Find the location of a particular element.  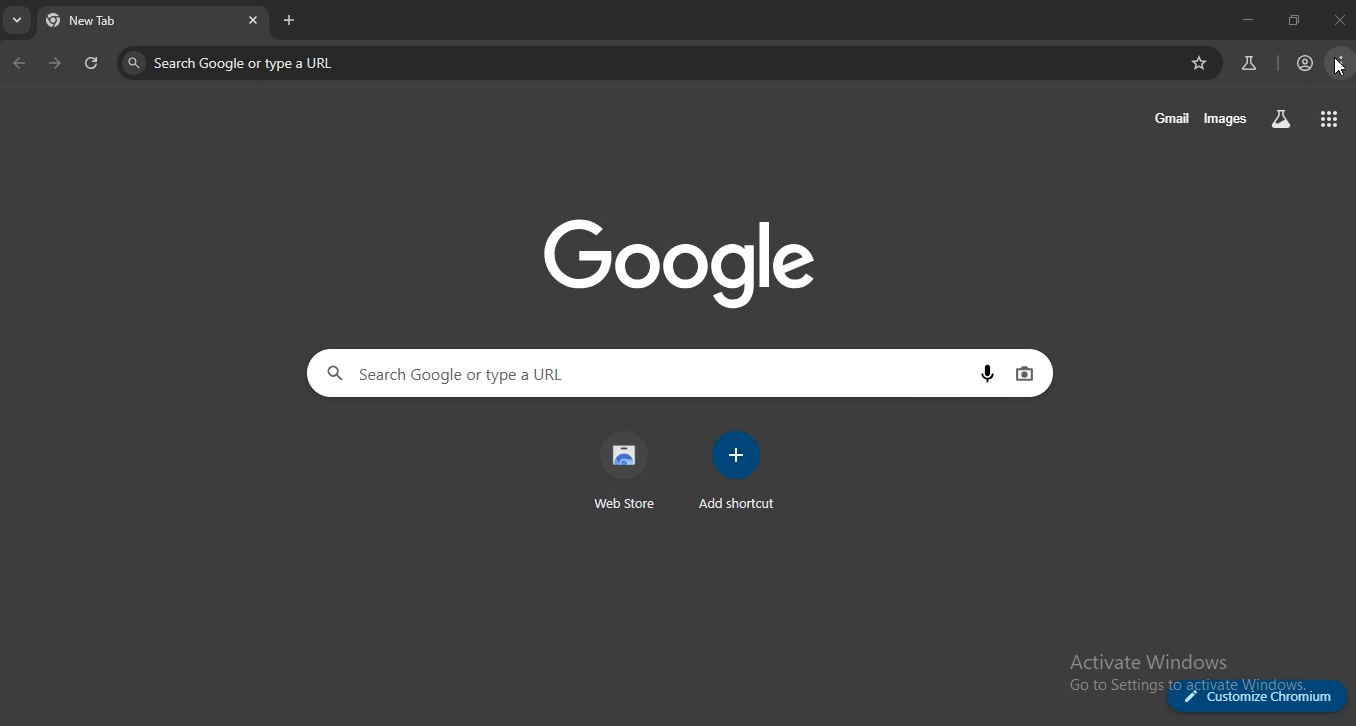

search labs is located at coordinates (1246, 64).